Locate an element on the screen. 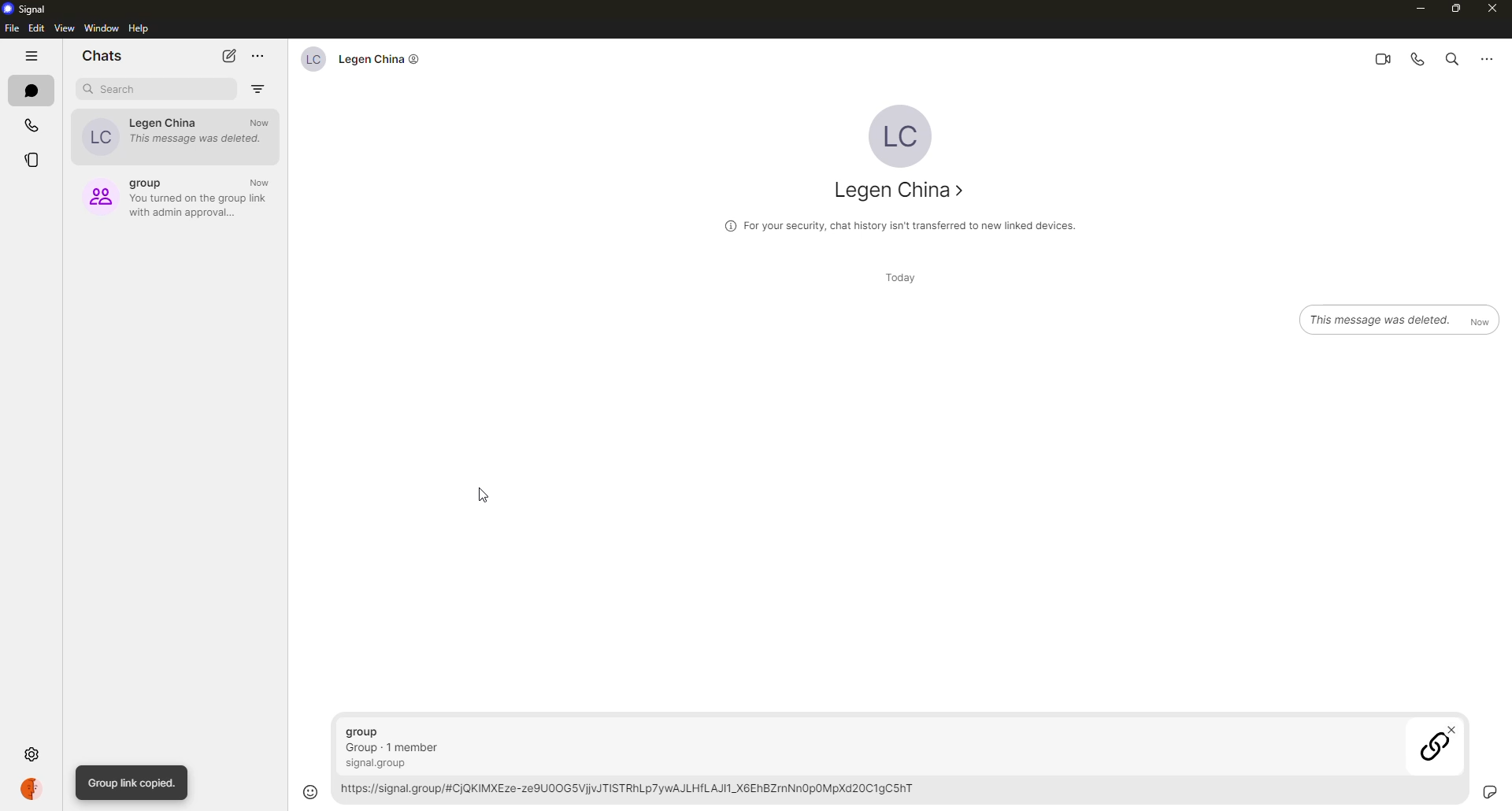 The height and width of the screenshot is (811, 1512). attach is located at coordinates (1490, 788).